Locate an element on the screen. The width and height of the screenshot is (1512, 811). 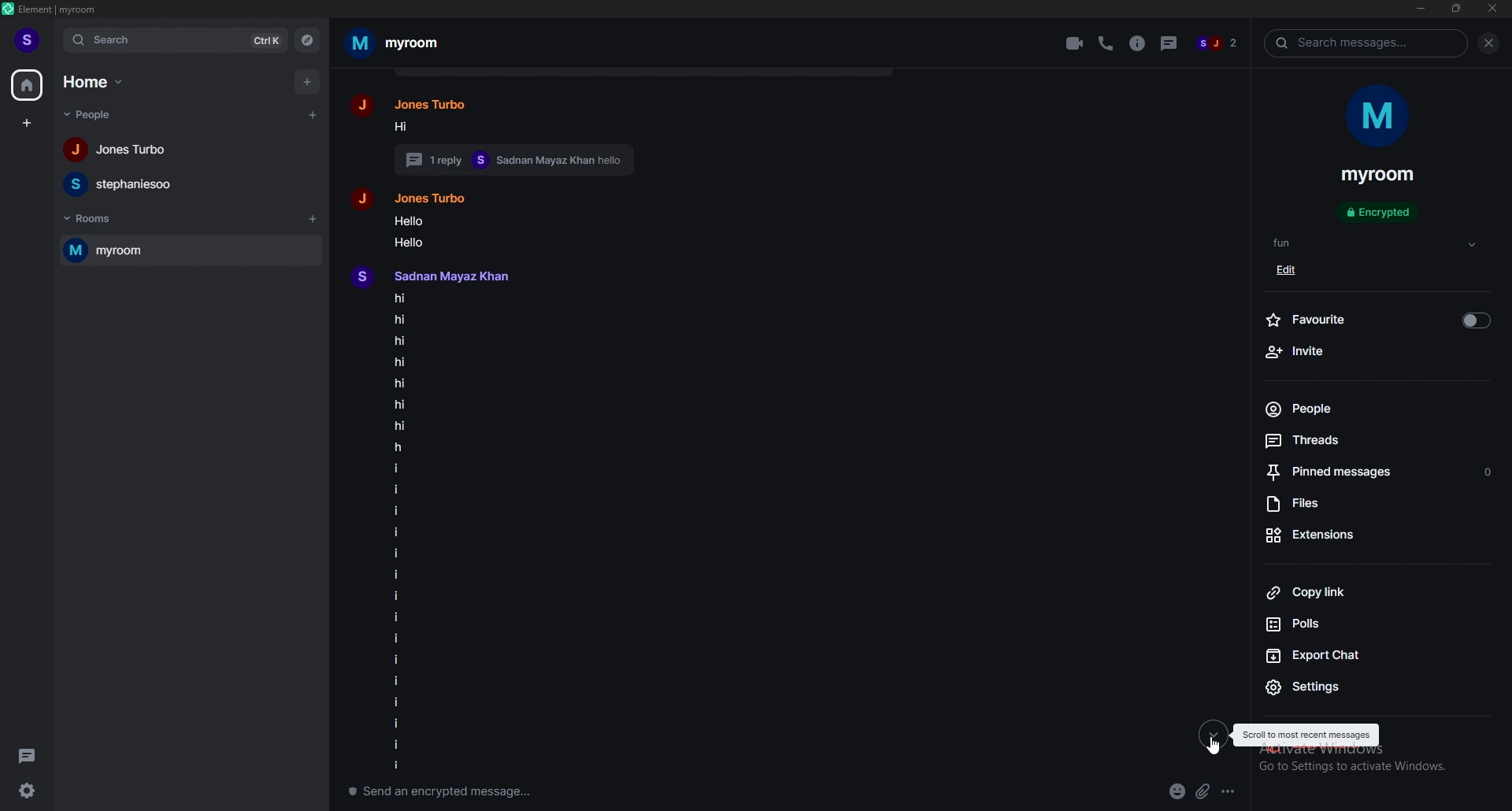
invite is located at coordinates (1375, 352).